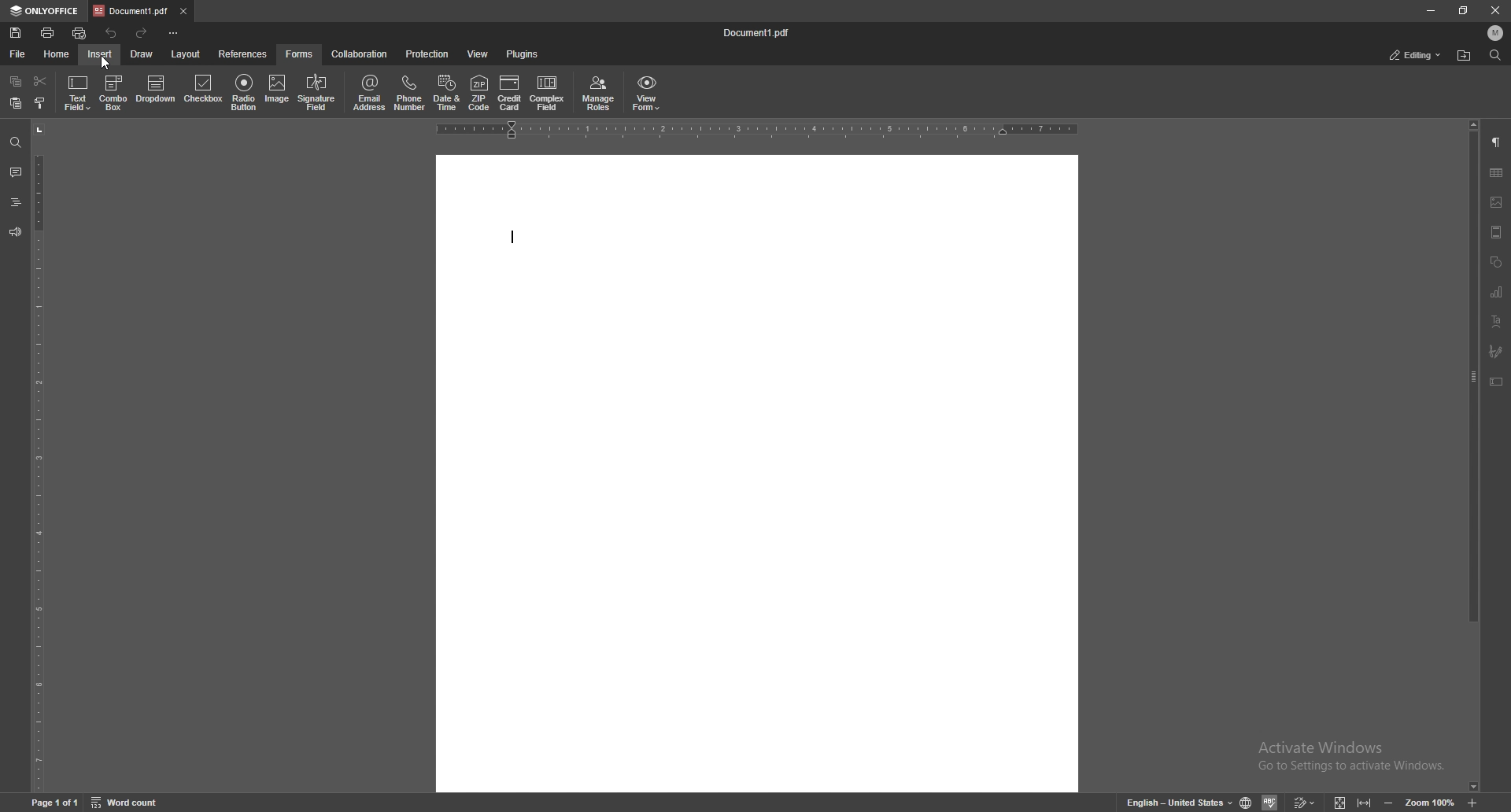 The image size is (1511, 812). I want to click on quick print, so click(79, 34).